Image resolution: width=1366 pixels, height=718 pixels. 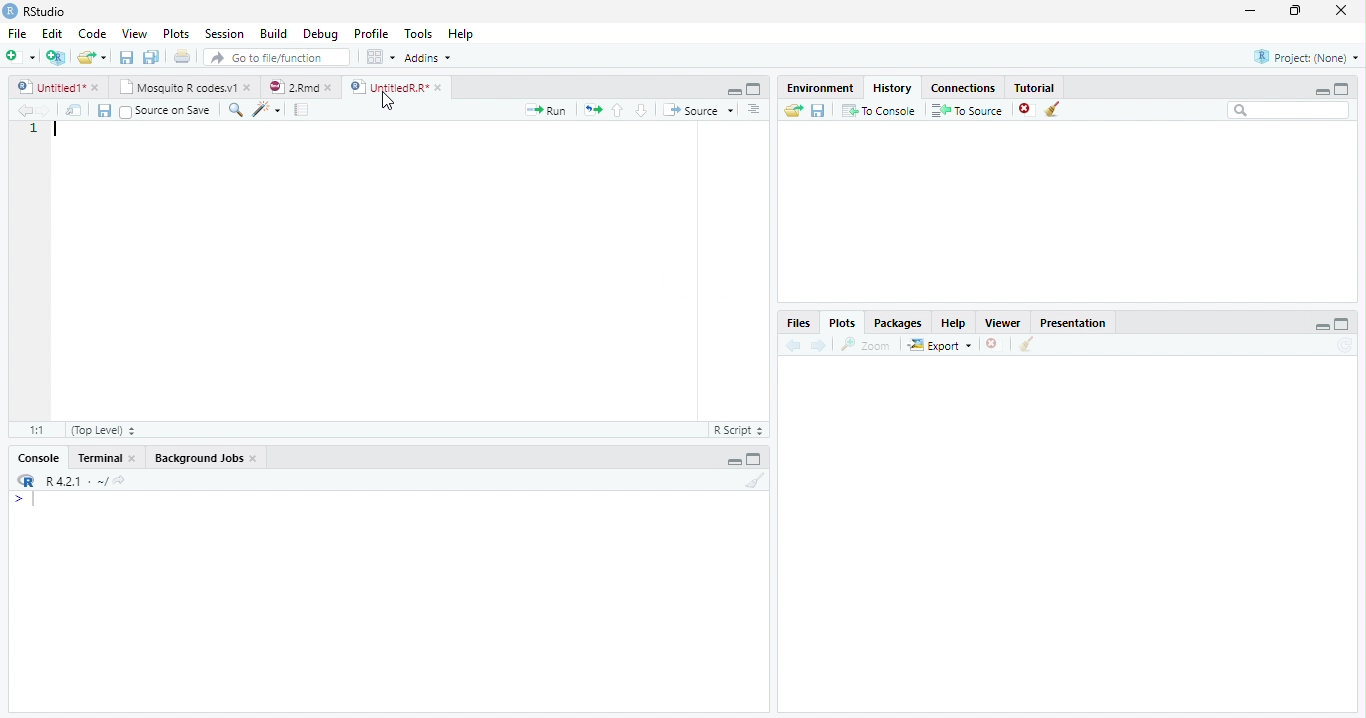 What do you see at coordinates (818, 345) in the screenshot?
I see `Next plot` at bounding box center [818, 345].